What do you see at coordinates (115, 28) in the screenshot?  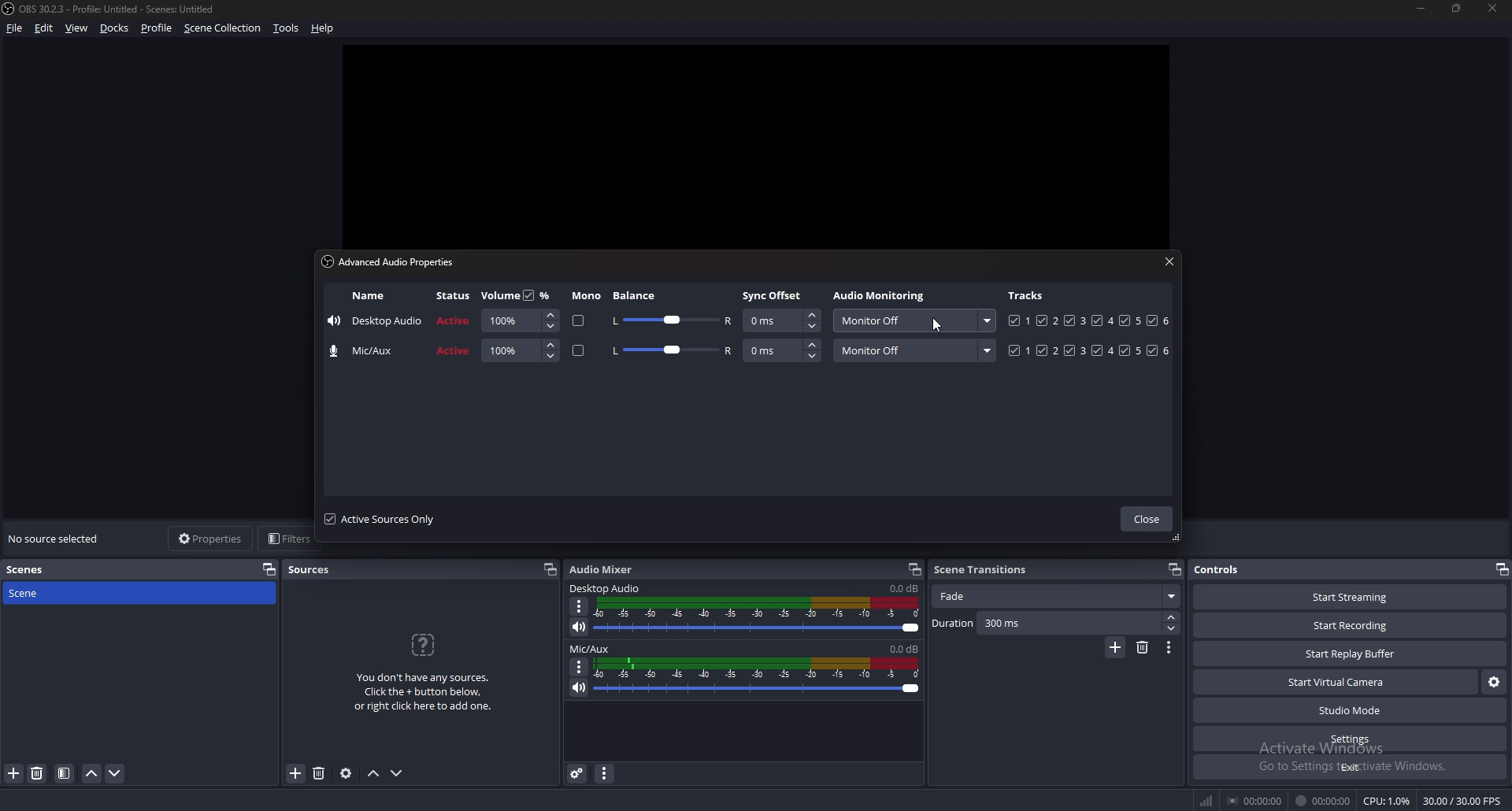 I see `docks` at bounding box center [115, 28].